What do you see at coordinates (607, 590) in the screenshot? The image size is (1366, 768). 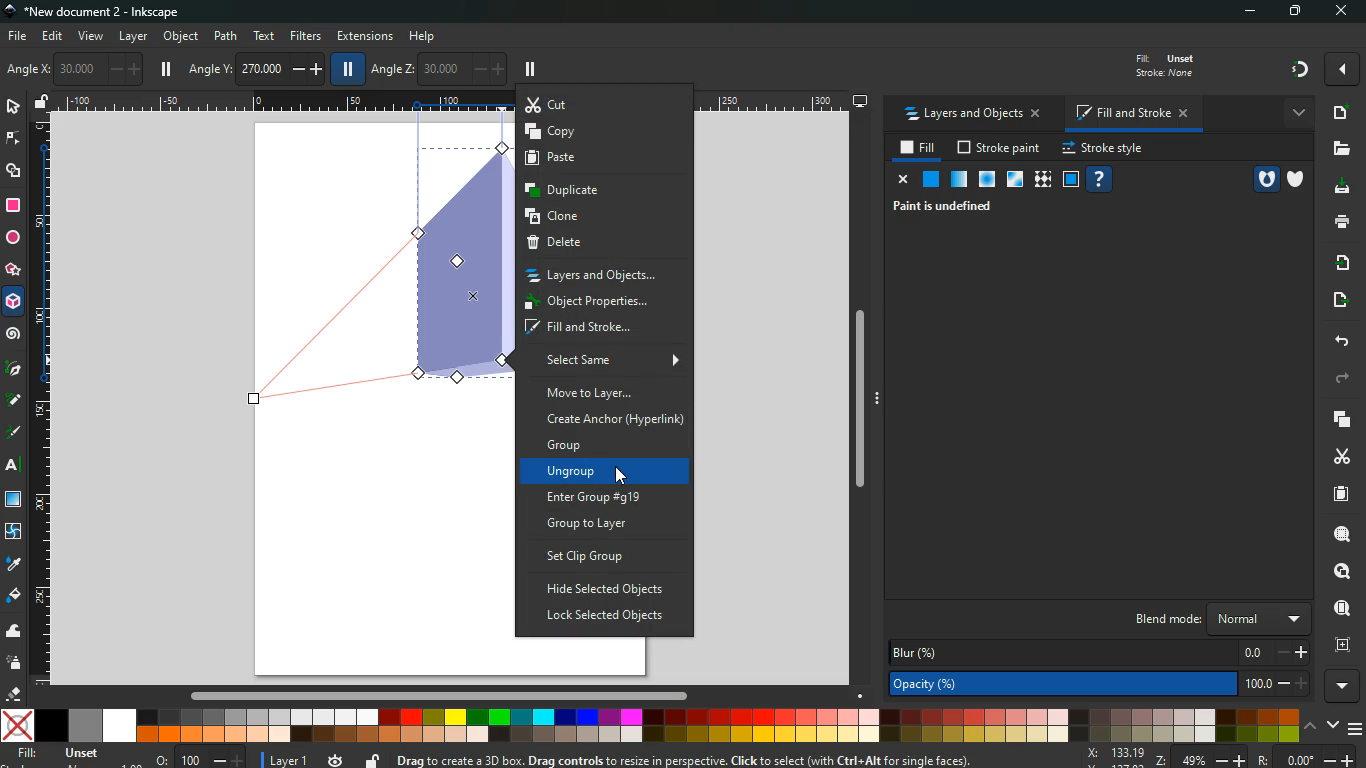 I see `hide selected objects` at bounding box center [607, 590].